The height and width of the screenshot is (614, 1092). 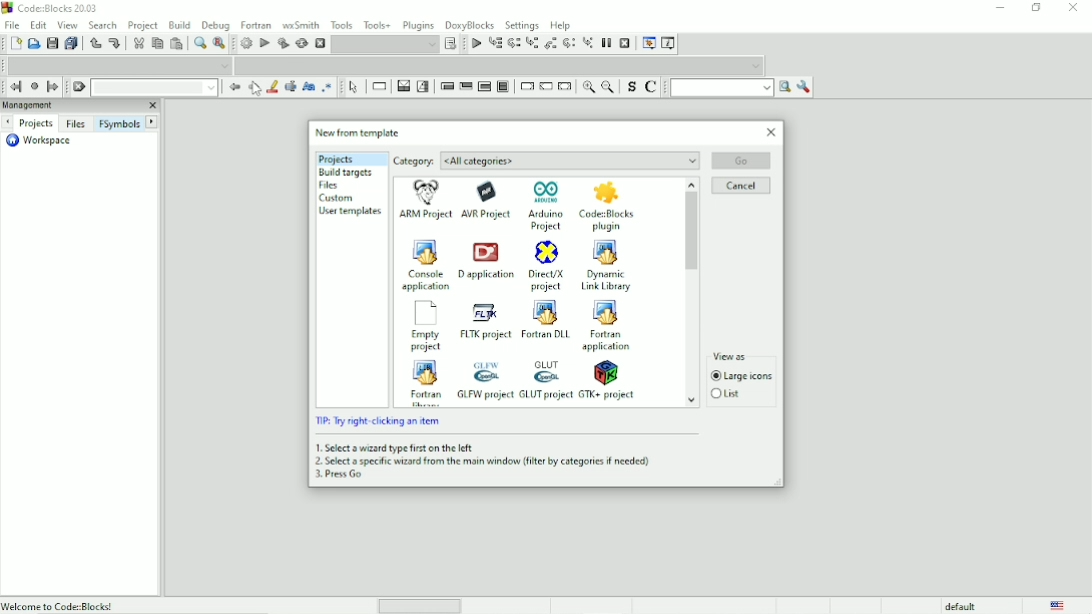 What do you see at coordinates (545, 87) in the screenshot?
I see `Continue instruction` at bounding box center [545, 87].